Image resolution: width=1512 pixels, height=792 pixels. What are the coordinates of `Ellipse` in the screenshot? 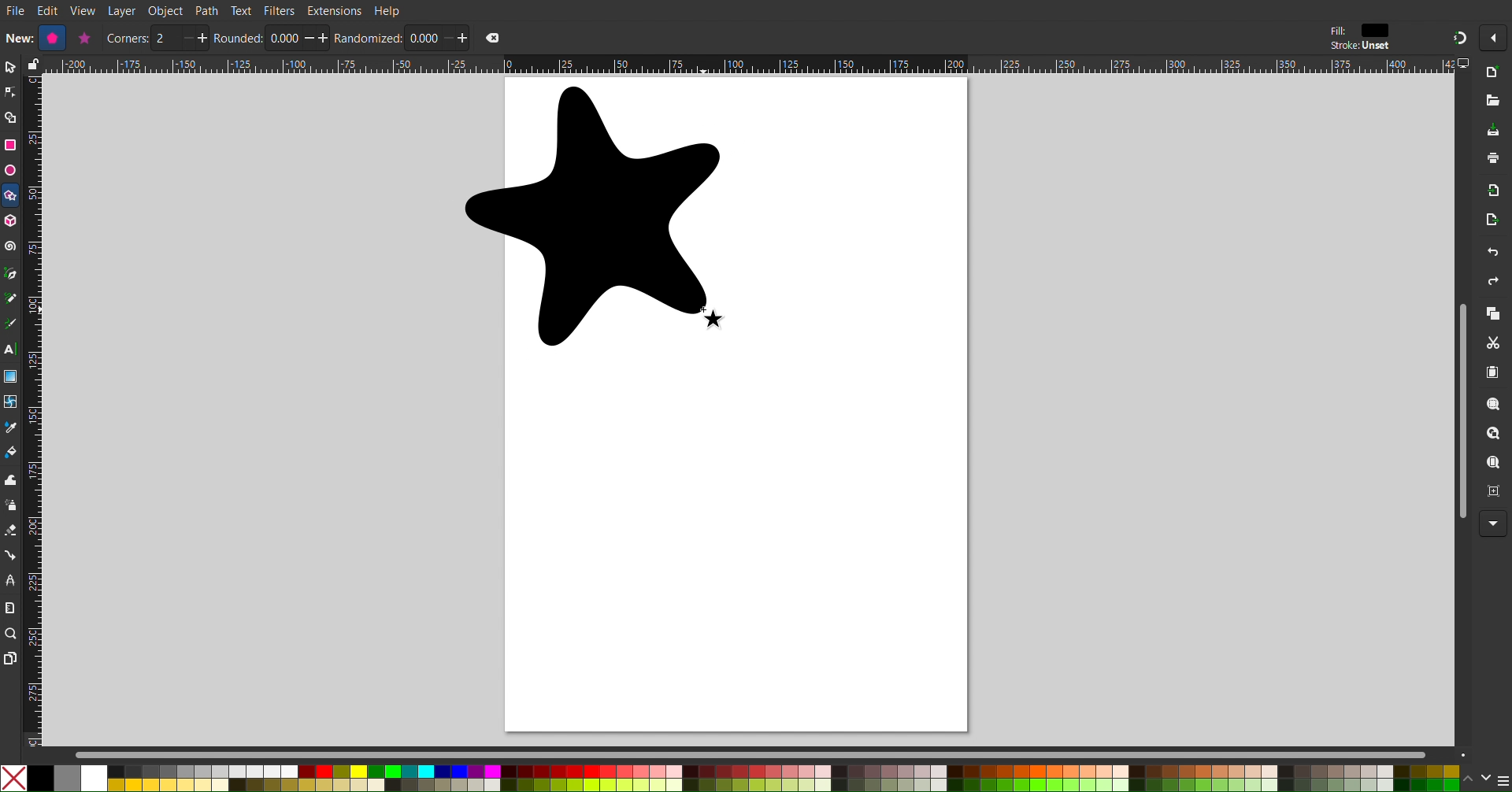 It's located at (9, 170).